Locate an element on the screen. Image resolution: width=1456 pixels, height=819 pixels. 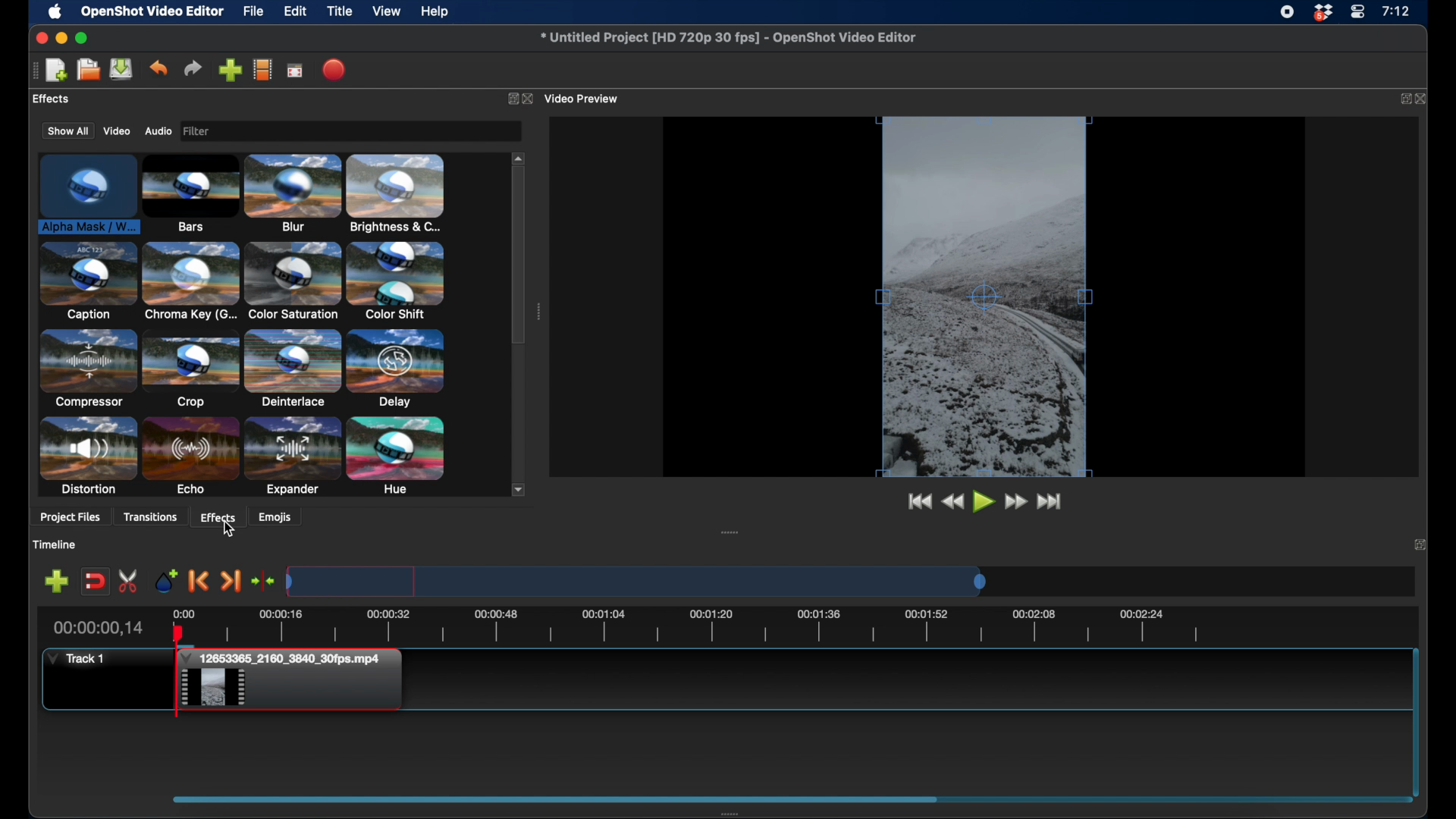
video preview is located at coordinates (984, 297).